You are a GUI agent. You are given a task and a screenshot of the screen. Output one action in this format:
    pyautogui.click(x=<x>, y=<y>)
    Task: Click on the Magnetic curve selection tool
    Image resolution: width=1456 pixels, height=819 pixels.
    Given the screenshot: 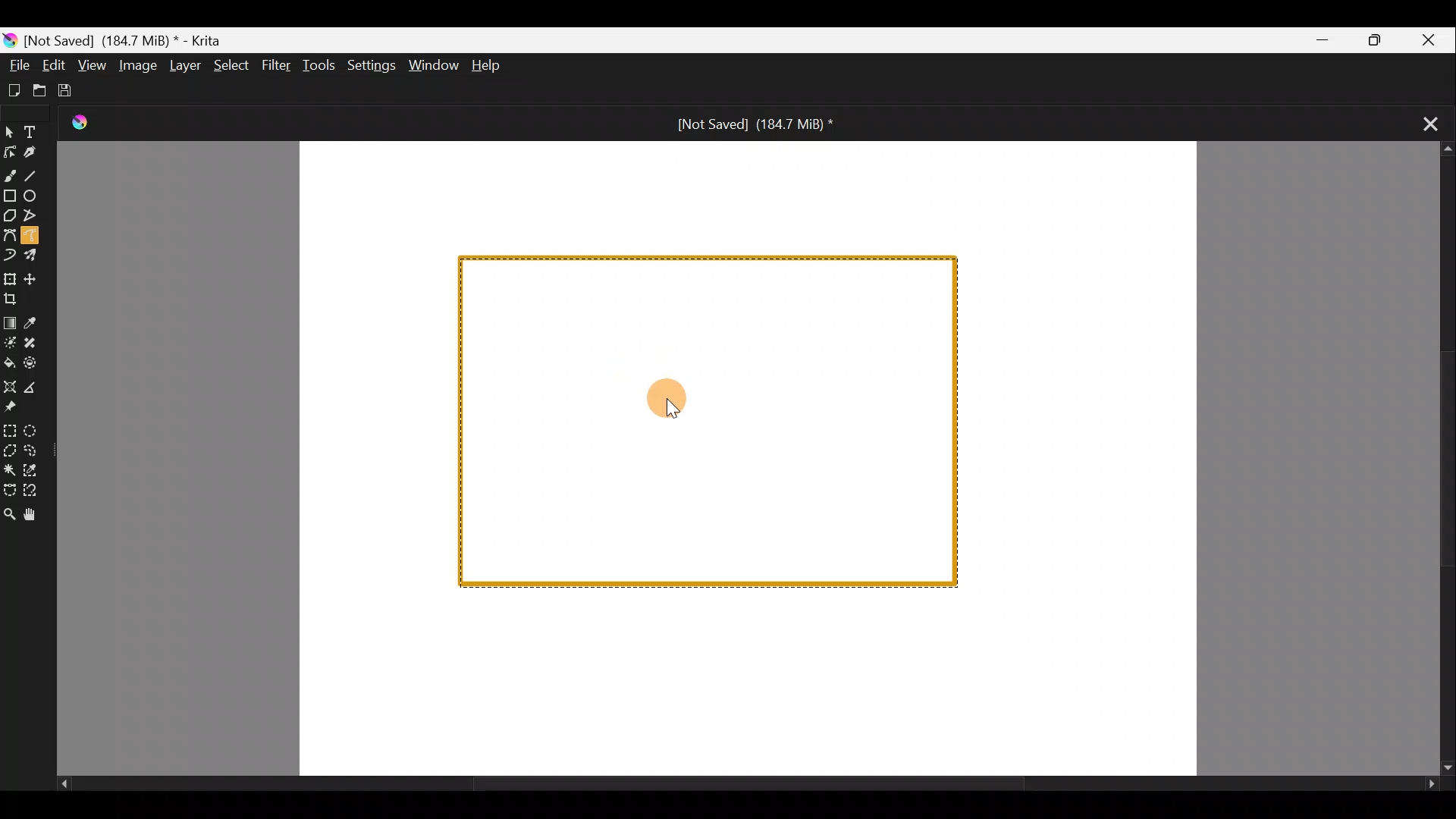 What is the action you would take?
    pyautogui.click(x=35, y=492)
    